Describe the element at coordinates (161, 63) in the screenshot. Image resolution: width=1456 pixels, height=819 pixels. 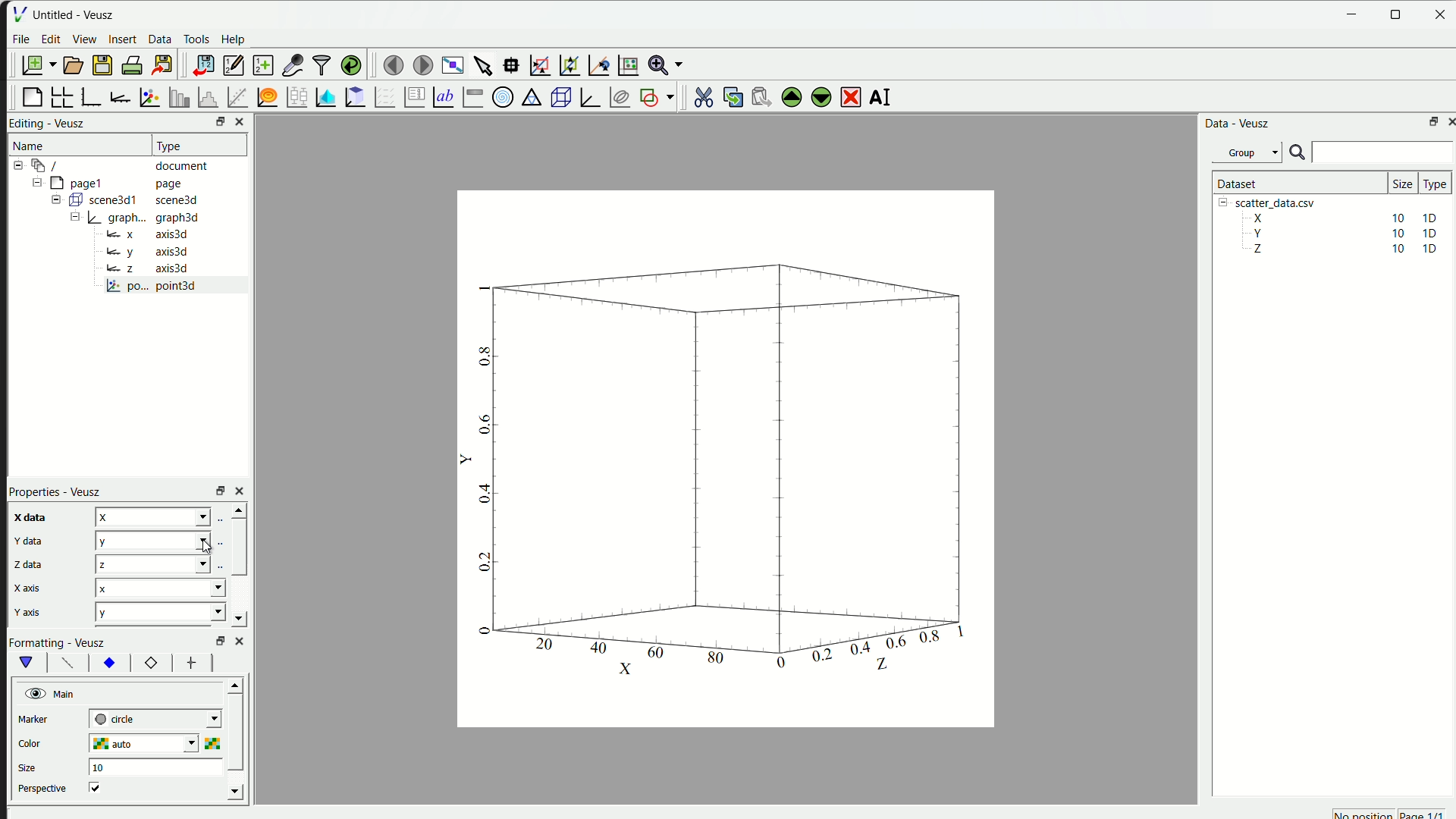
I see `export to graphics format` at that location.